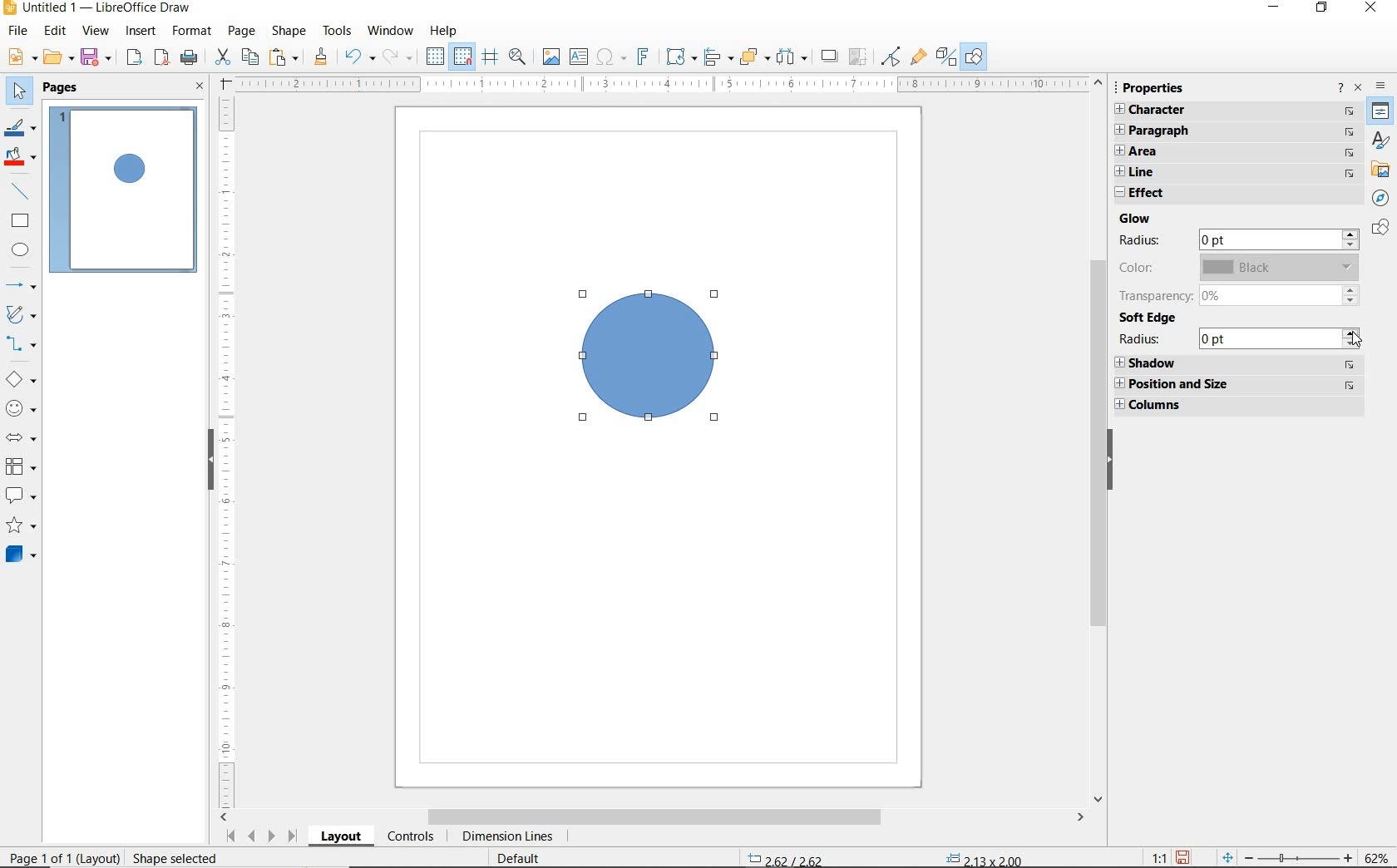  Describe the element at coordinates (22, 407) in the screenshot. I see `SYMBOL SHAPES` at that location.